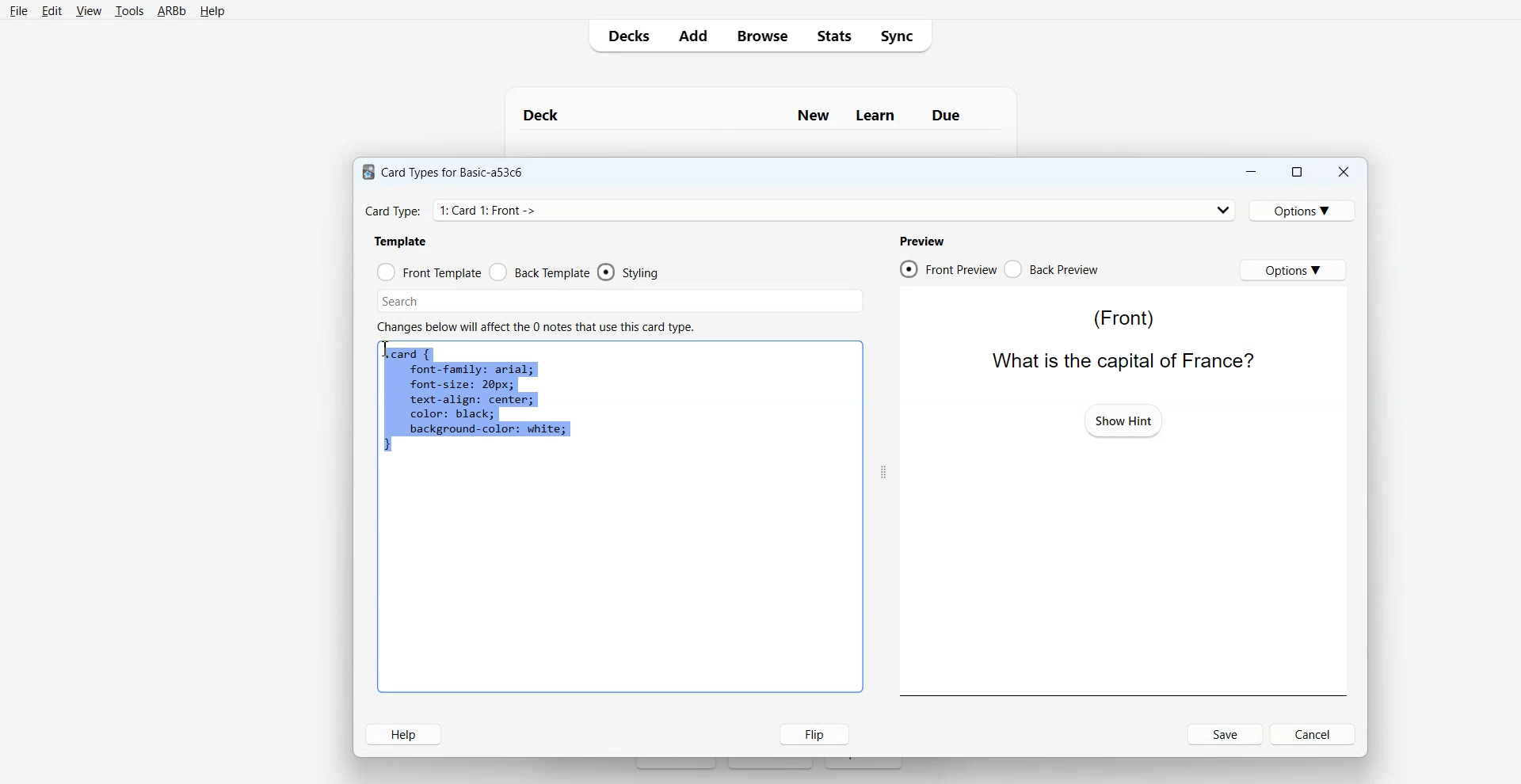  What do you see at coordinates (170, 12) in the screenshot?
I see `ARBb` at bounding box center [170, 12].